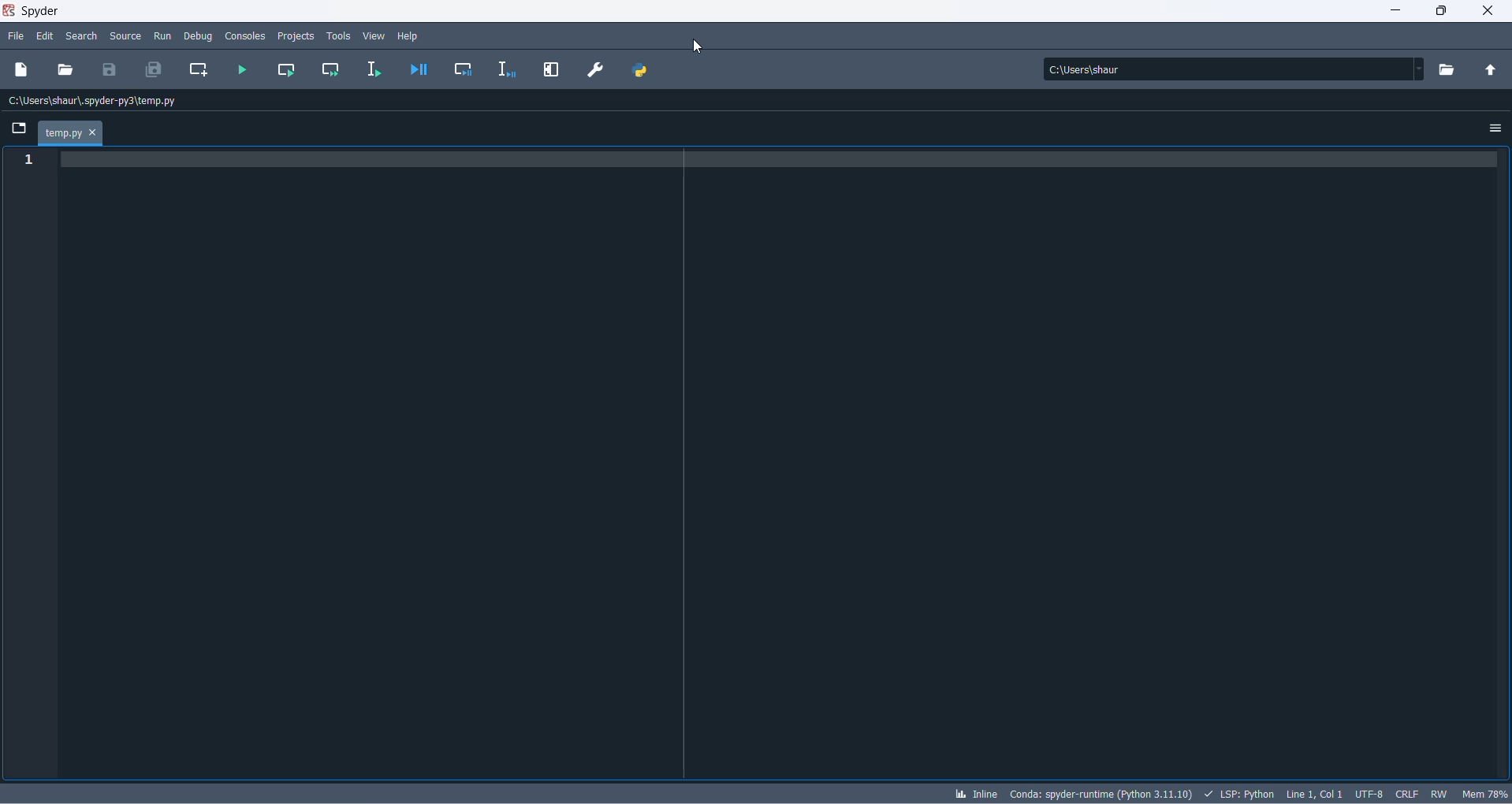 Image resolution: width=1512 pixels, height=804 pixels. Describe the element at coordinates (1230, 69) in the screenshot. I see `path` at that location.